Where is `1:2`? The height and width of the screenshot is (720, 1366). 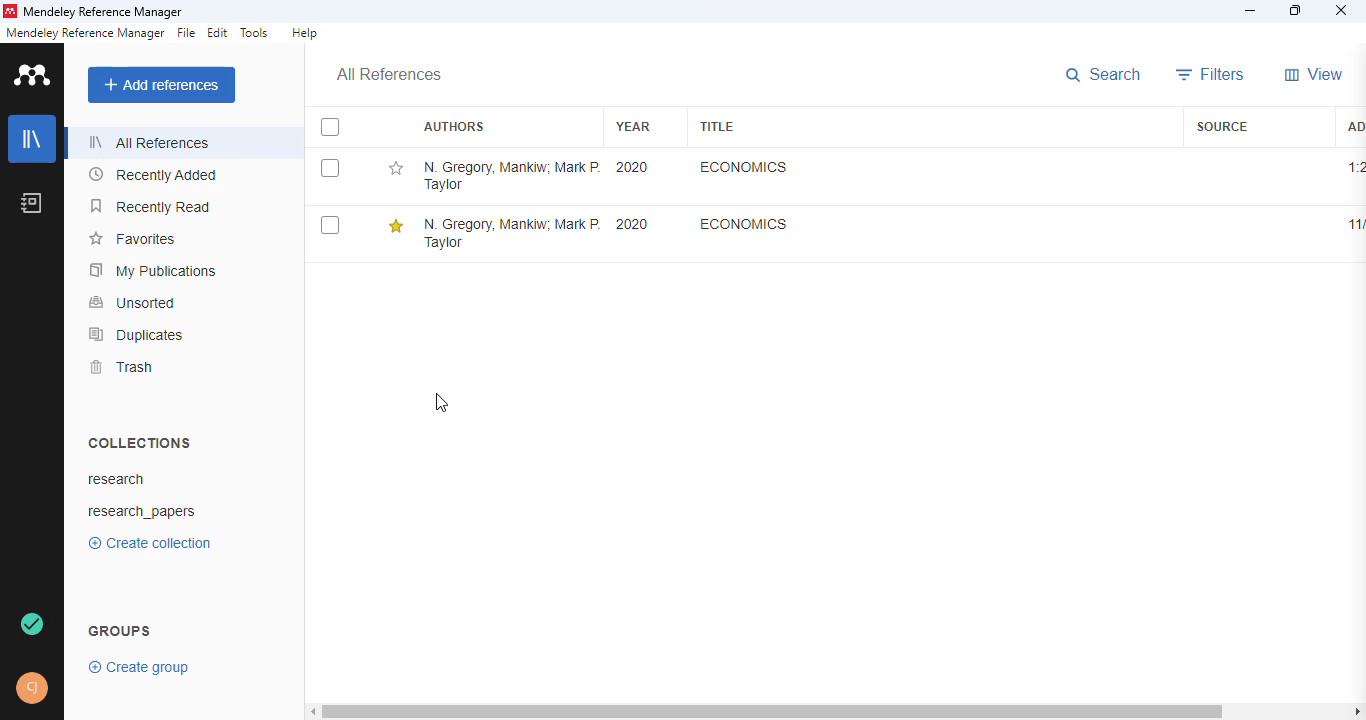 1:2 is located at coordinates (1355, 167).